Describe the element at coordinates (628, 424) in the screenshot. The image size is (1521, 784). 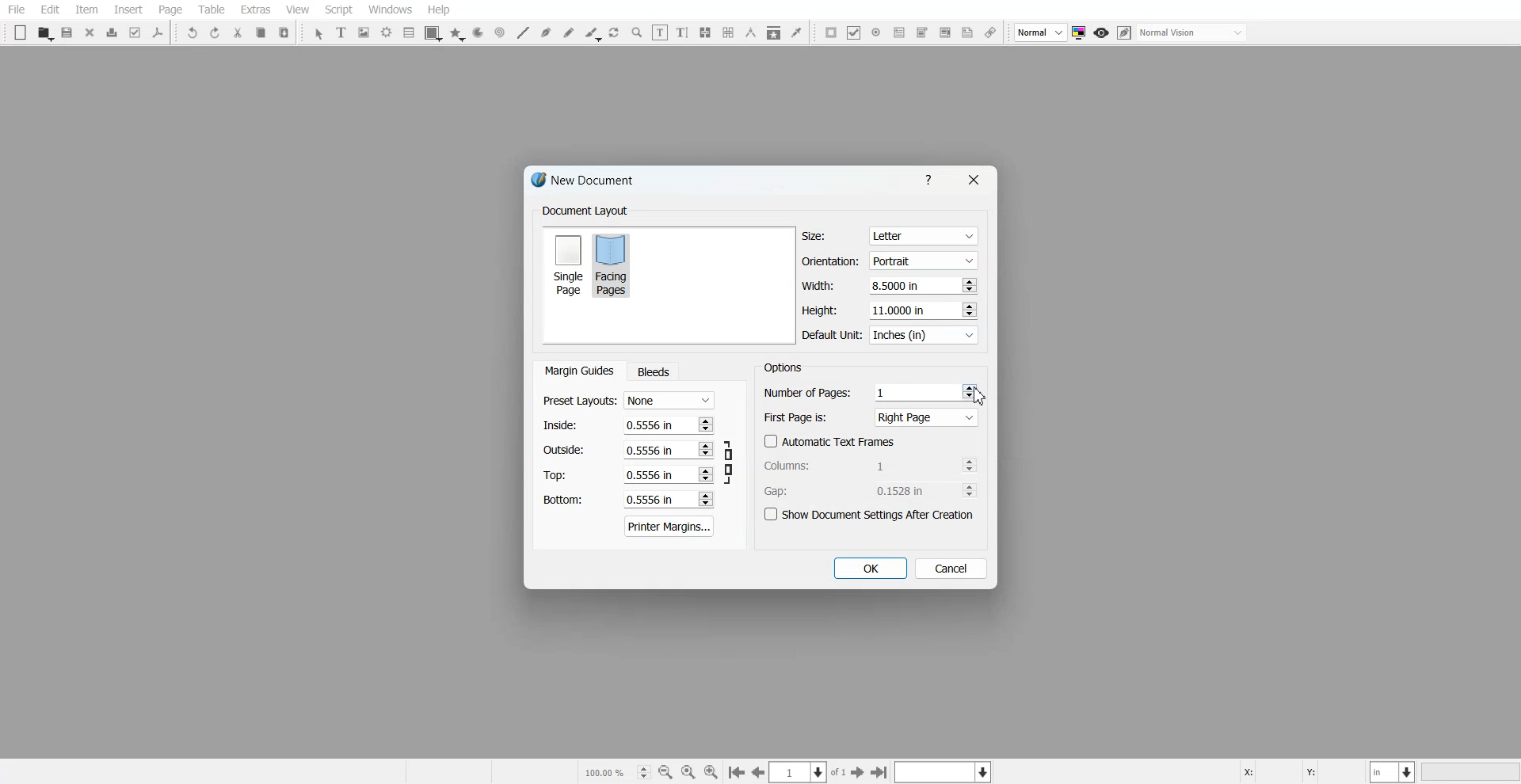
I see `Left margin adjuster` at that location.